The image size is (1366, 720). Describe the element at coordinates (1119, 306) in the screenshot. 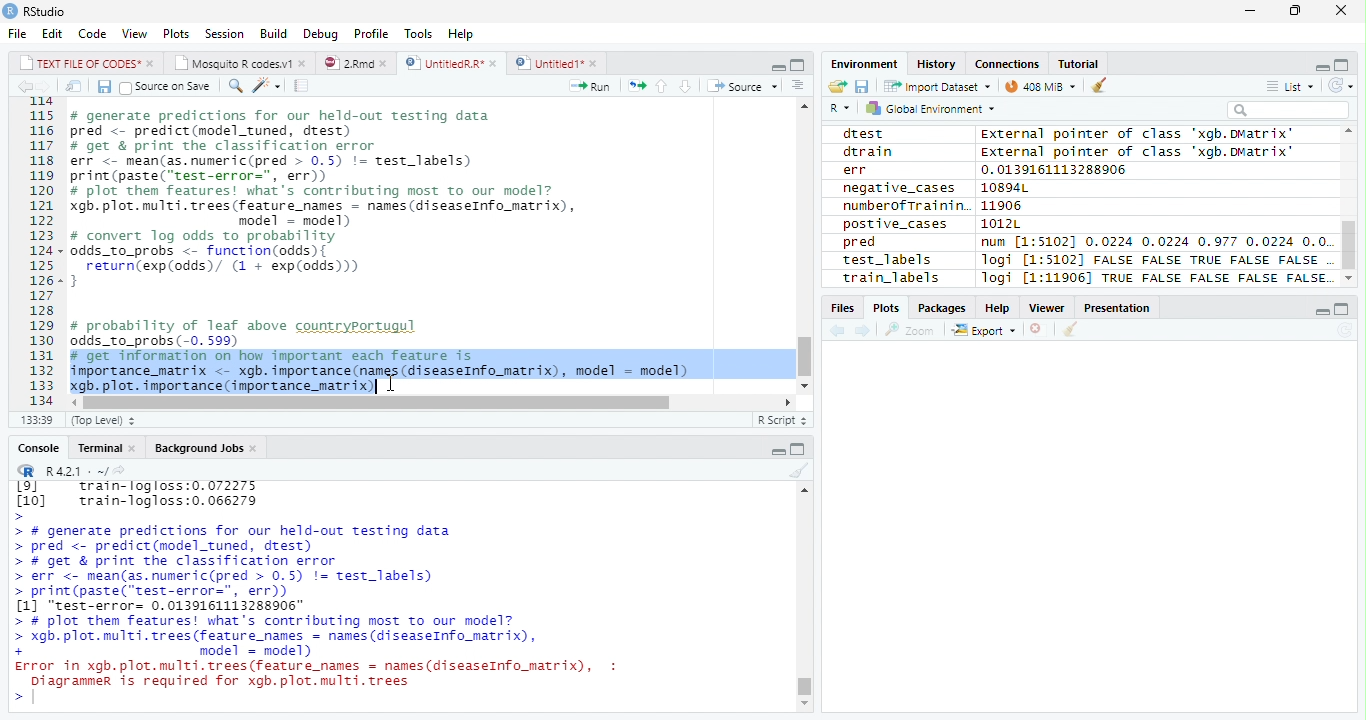

I see `Presentation` at that location.